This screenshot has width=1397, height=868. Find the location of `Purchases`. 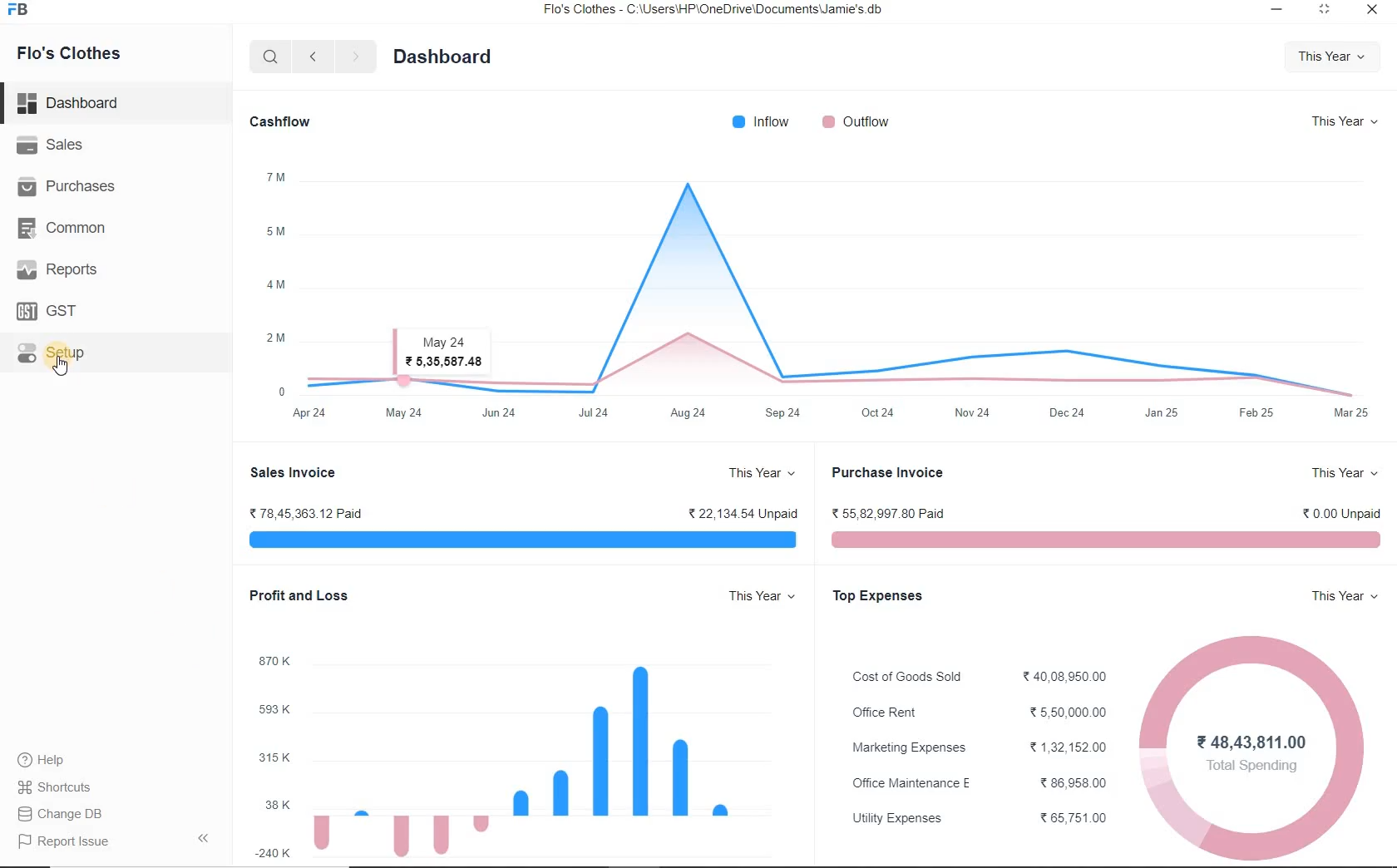

Purchases is located at coordinates (69, 187).